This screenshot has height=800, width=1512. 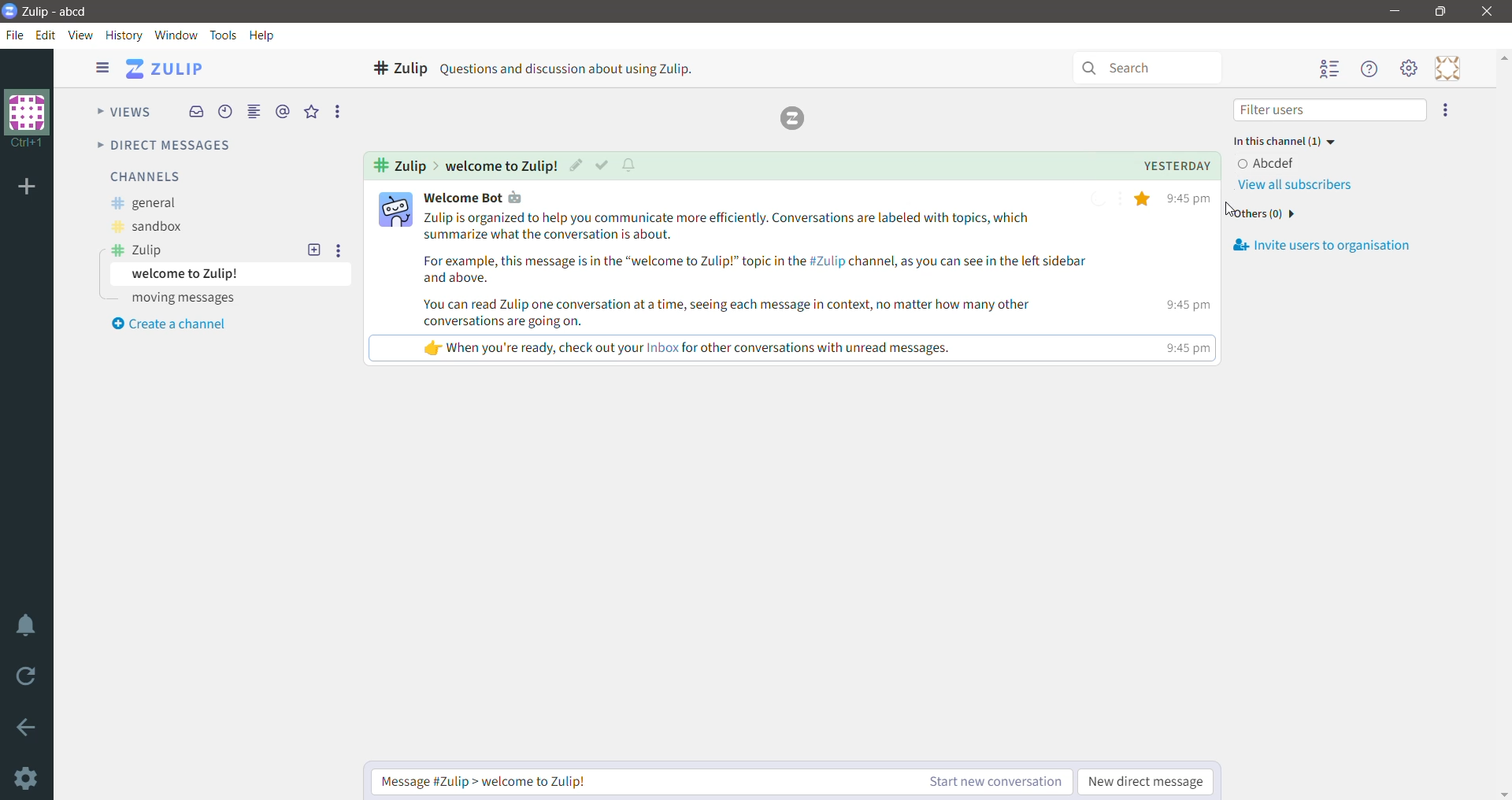 What do you see at coordinates (311, 111) in the screenshot?
I see `Starred messages` at bounding box center [311, 111].